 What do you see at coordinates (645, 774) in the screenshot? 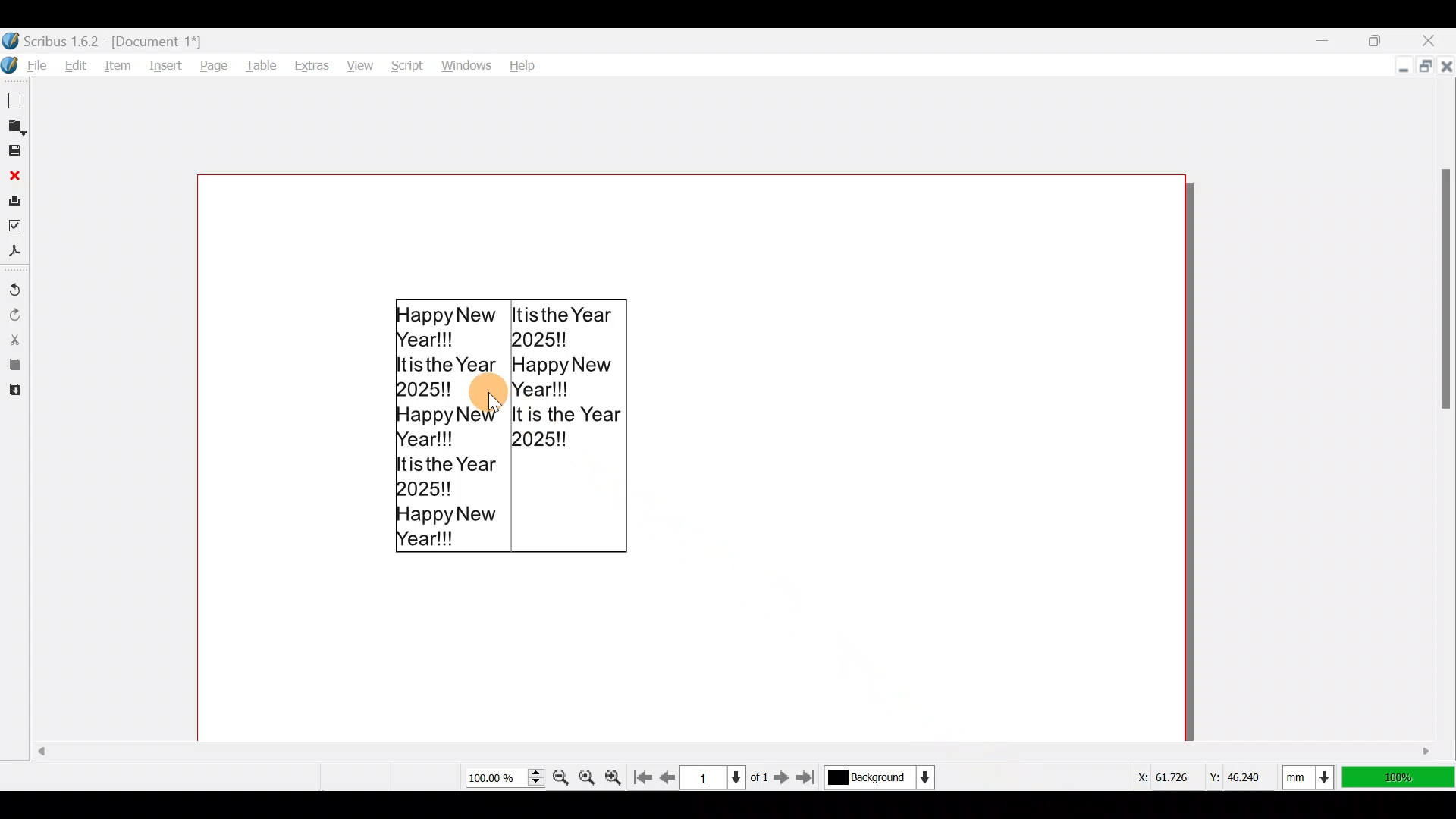
I see `Go to first page` at bounding box center [645, 774].